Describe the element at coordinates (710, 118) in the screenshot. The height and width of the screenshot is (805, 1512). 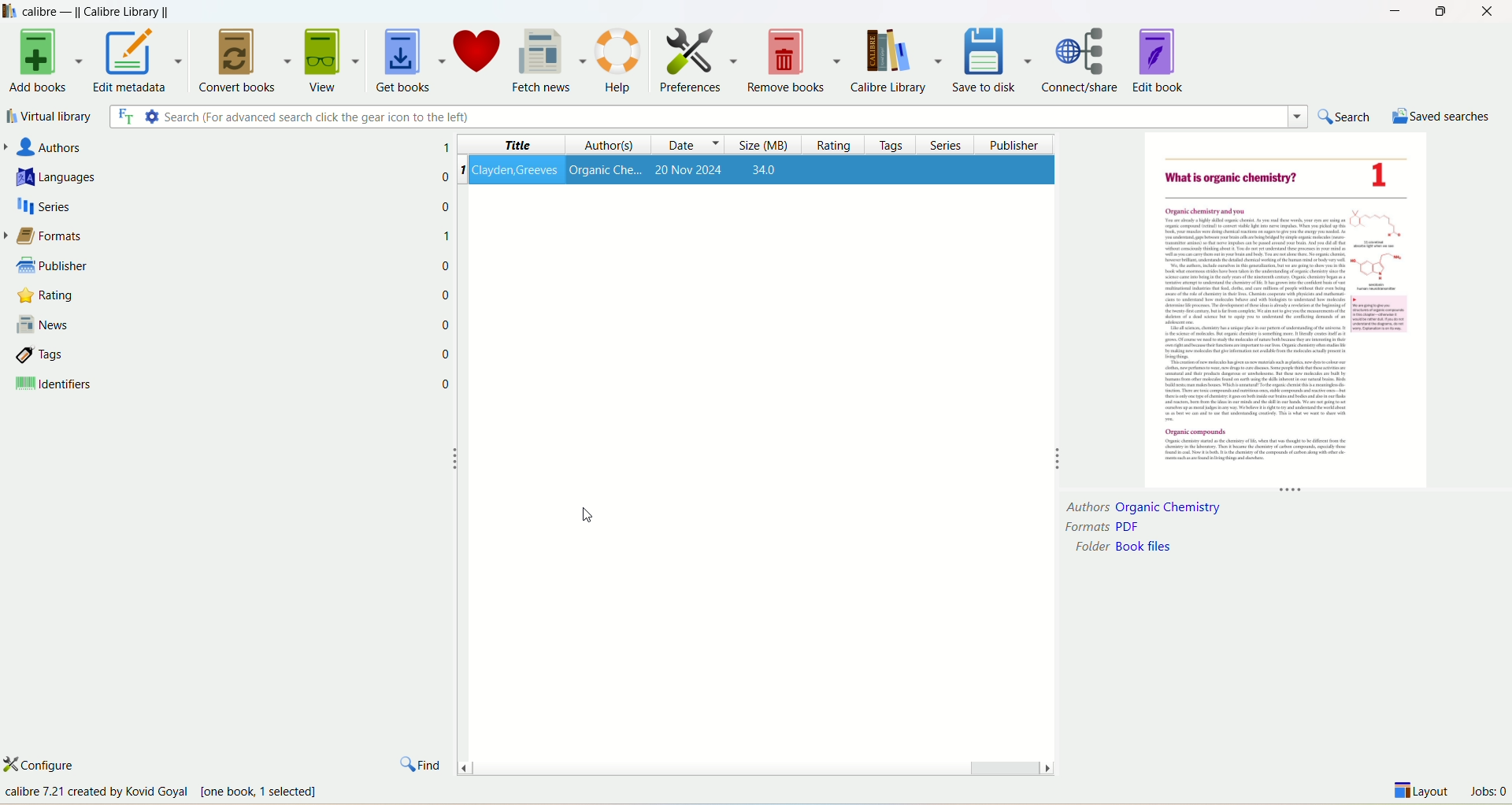
I see `search` at that location.